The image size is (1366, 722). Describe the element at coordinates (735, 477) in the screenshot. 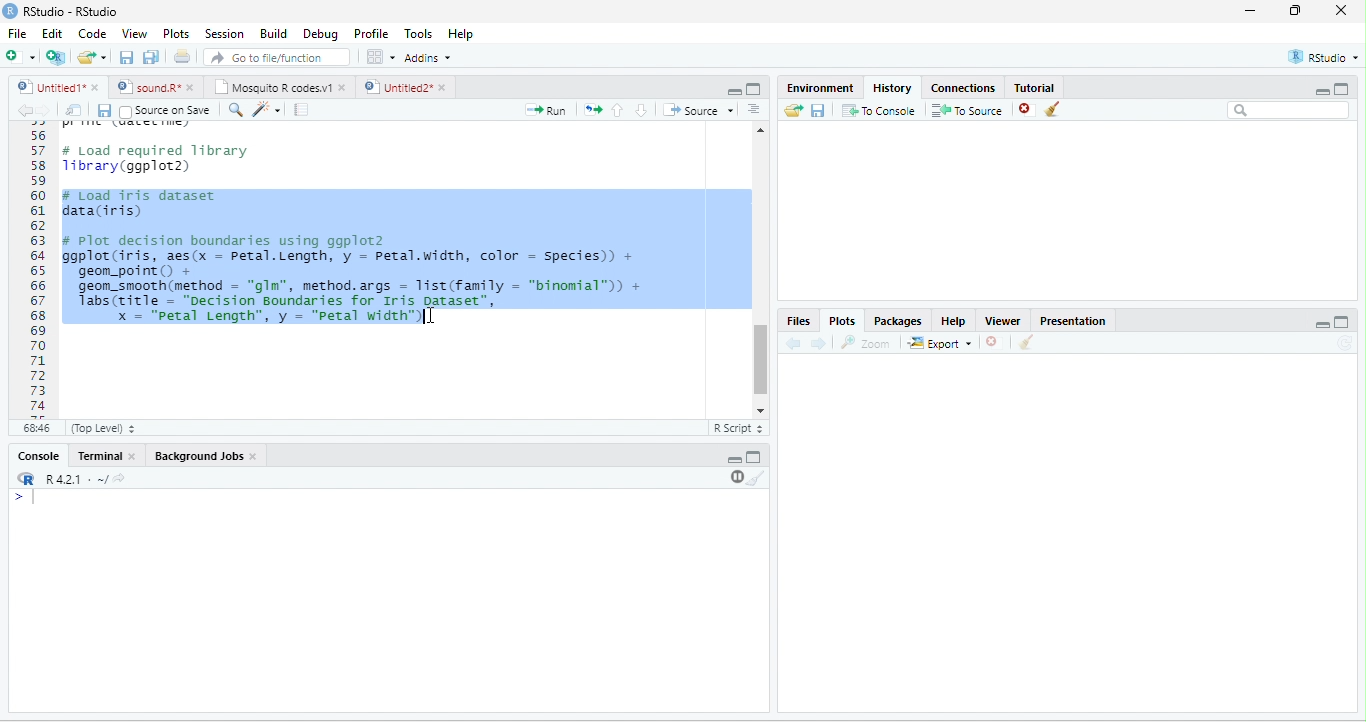

I see `pause` at that location.